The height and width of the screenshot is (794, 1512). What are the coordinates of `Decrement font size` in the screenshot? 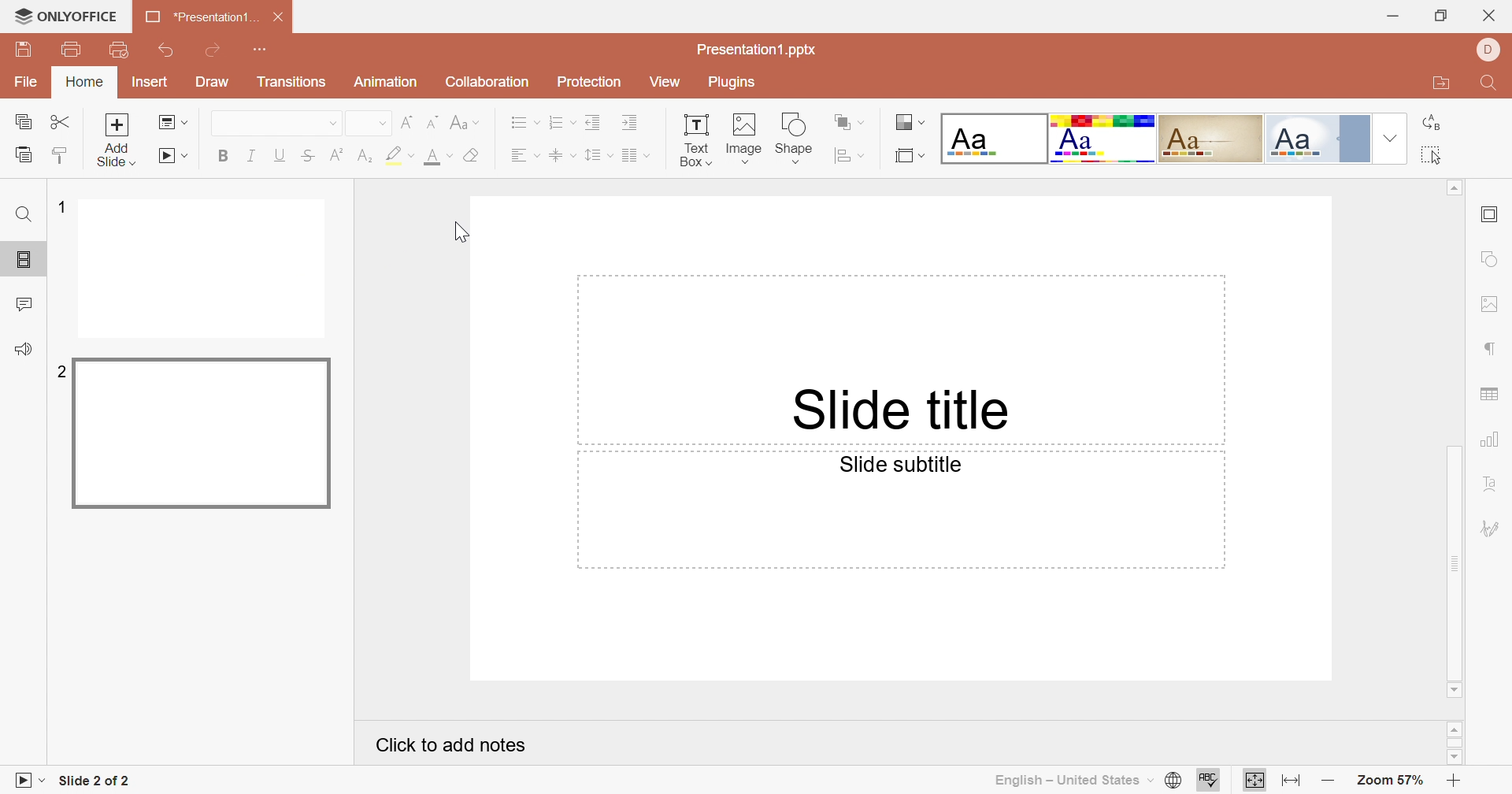 It's located at (432, 121).